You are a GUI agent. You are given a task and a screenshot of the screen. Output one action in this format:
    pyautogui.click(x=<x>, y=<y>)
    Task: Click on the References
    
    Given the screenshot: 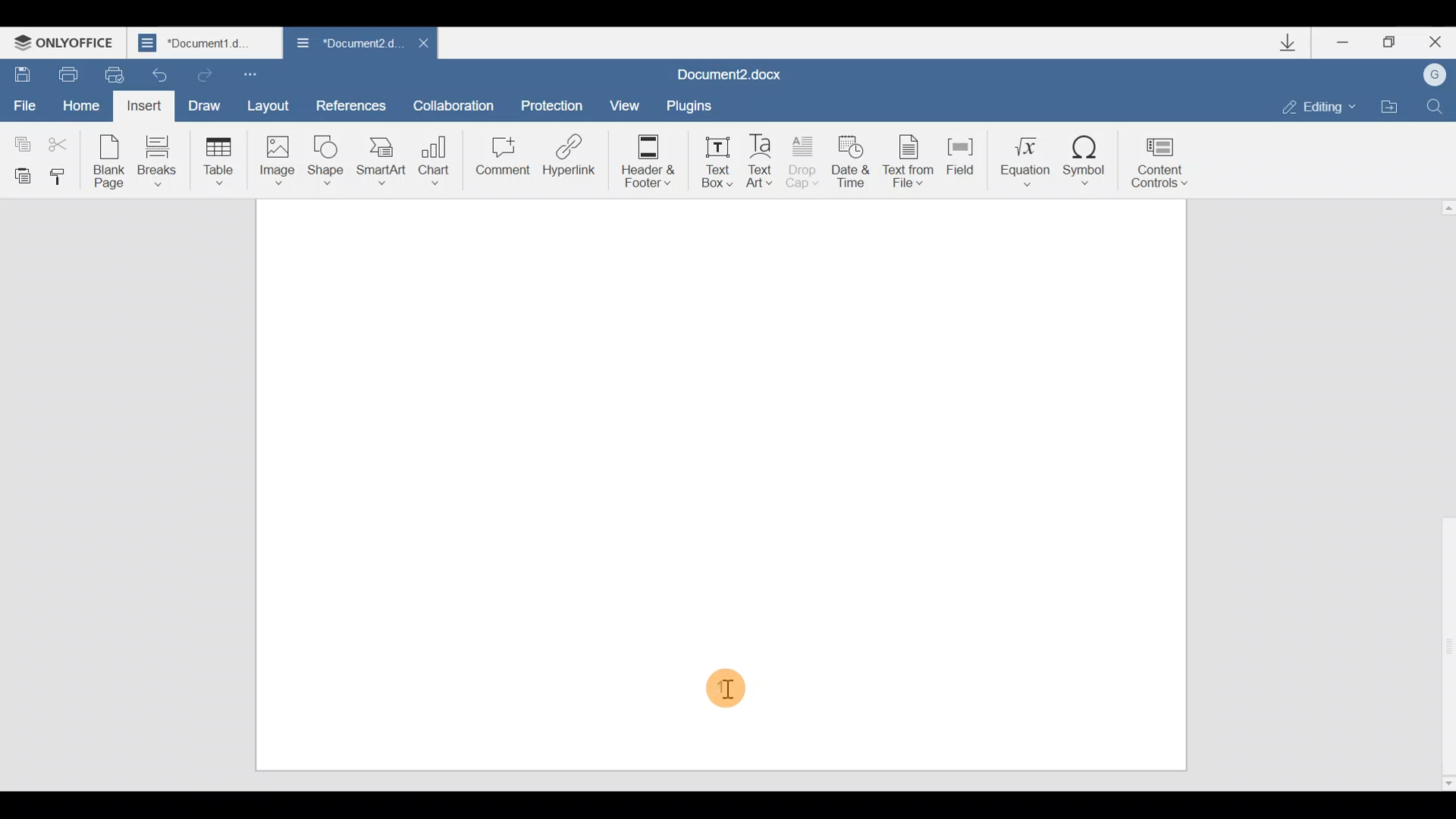 What is the action you would take?
    pyautogui.click(x=352, y=105)
    